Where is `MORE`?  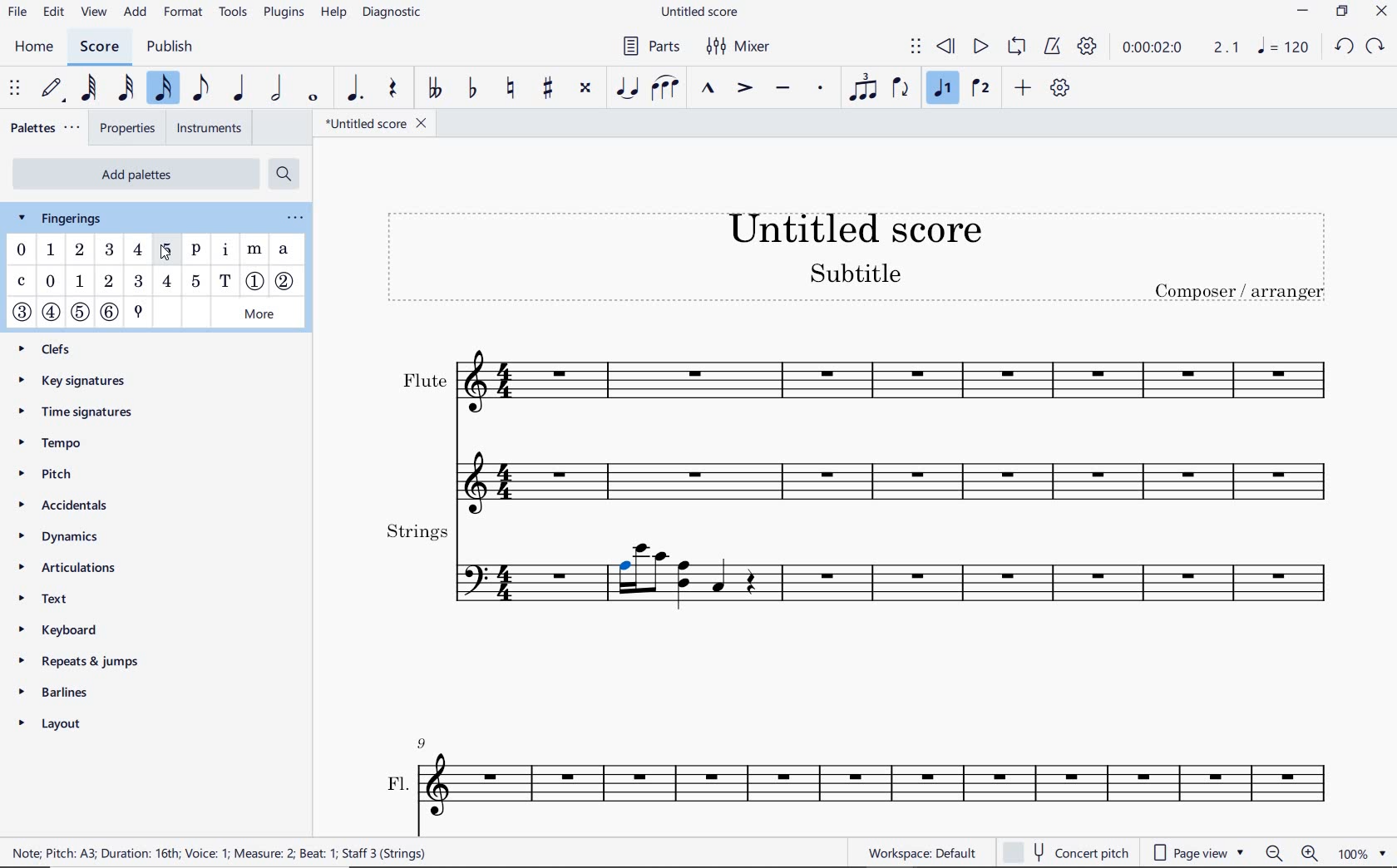
MORE is located at coordinates (259, 313).